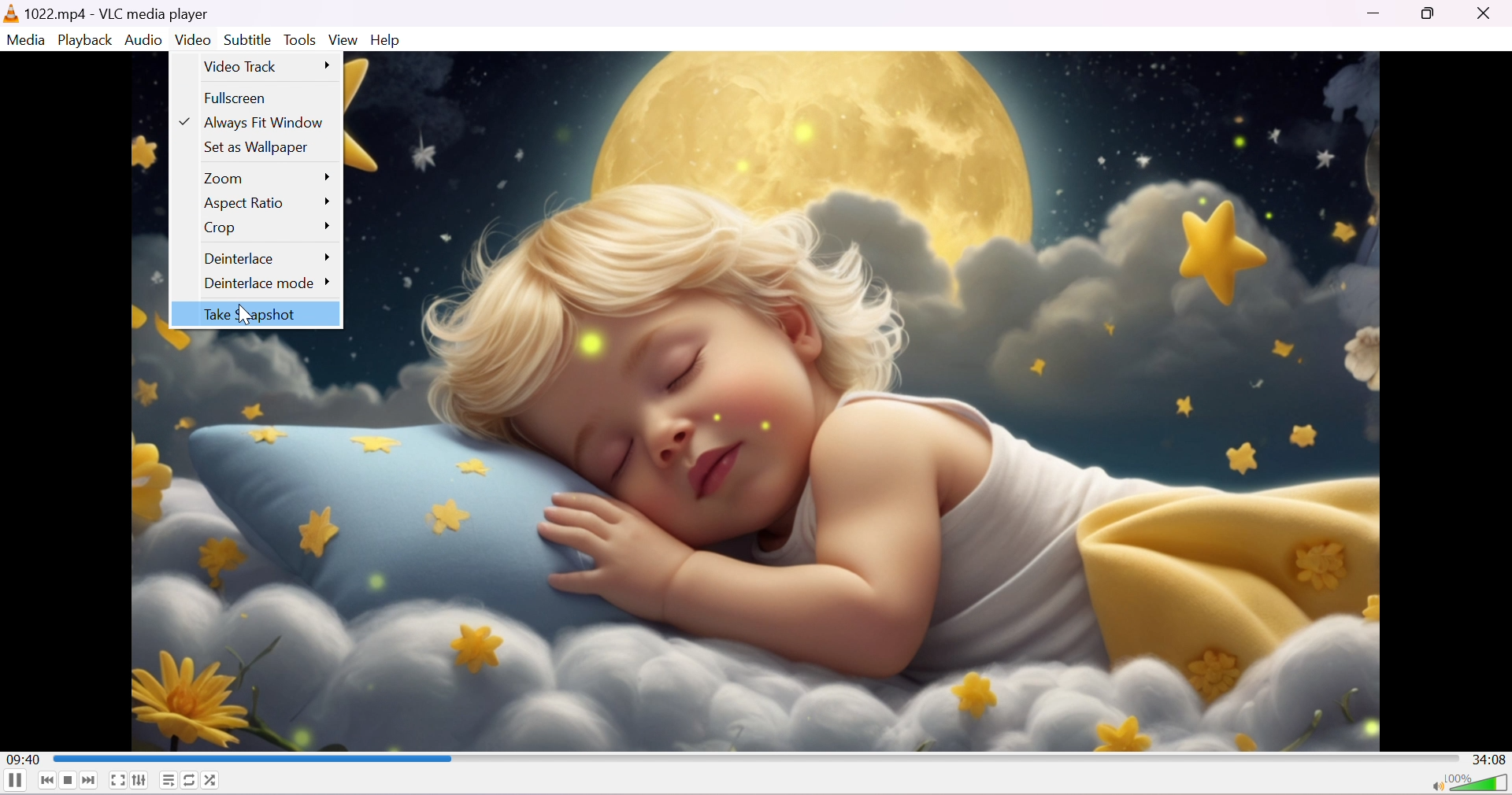  Describe the element at coordinates (265, 66) in the screenshot. I see `Video track` at that location.